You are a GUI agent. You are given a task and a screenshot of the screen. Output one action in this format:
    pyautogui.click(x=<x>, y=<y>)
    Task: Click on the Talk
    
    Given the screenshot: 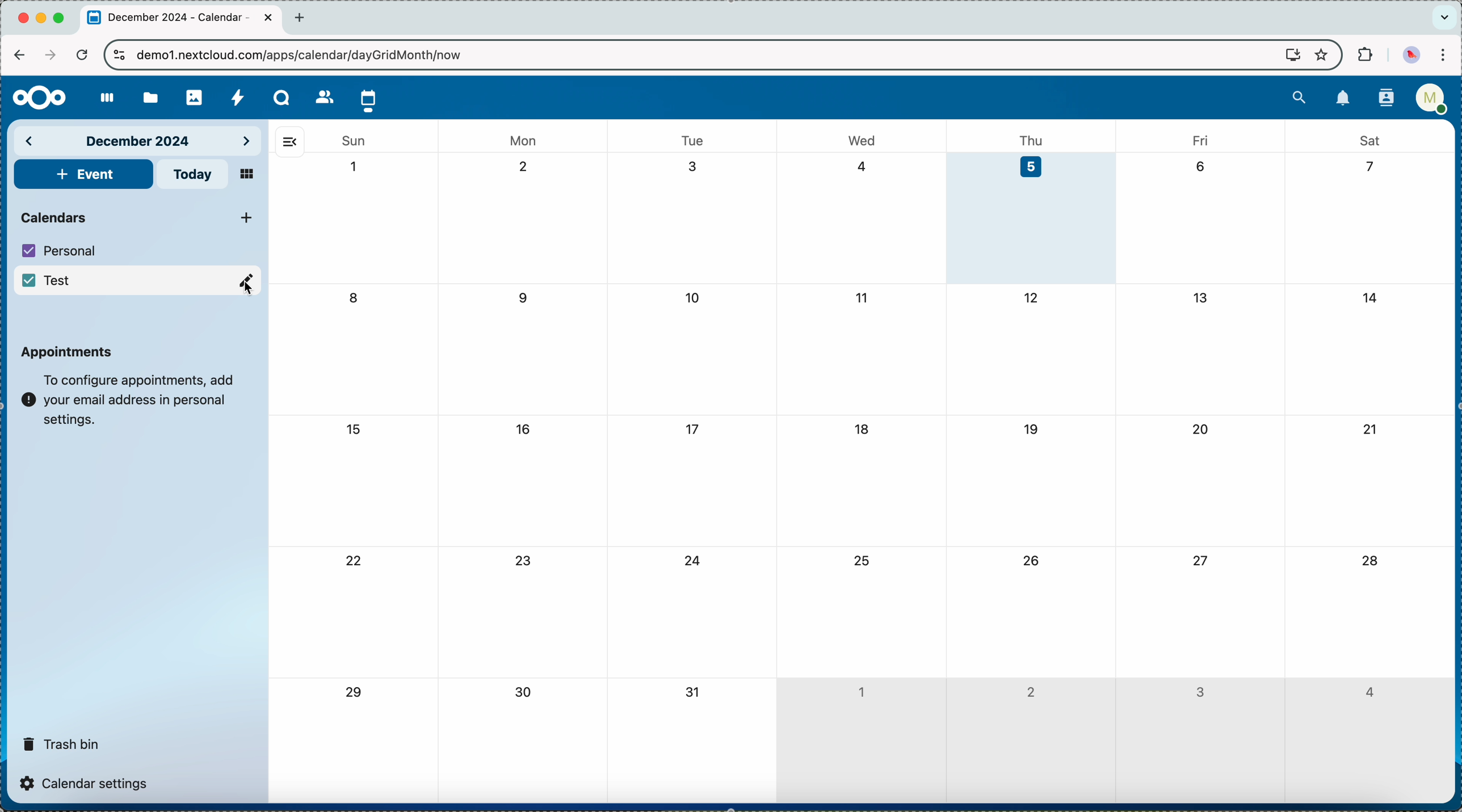 What is the action you would take?
    pyautogui.click(x=282, y=98)
    